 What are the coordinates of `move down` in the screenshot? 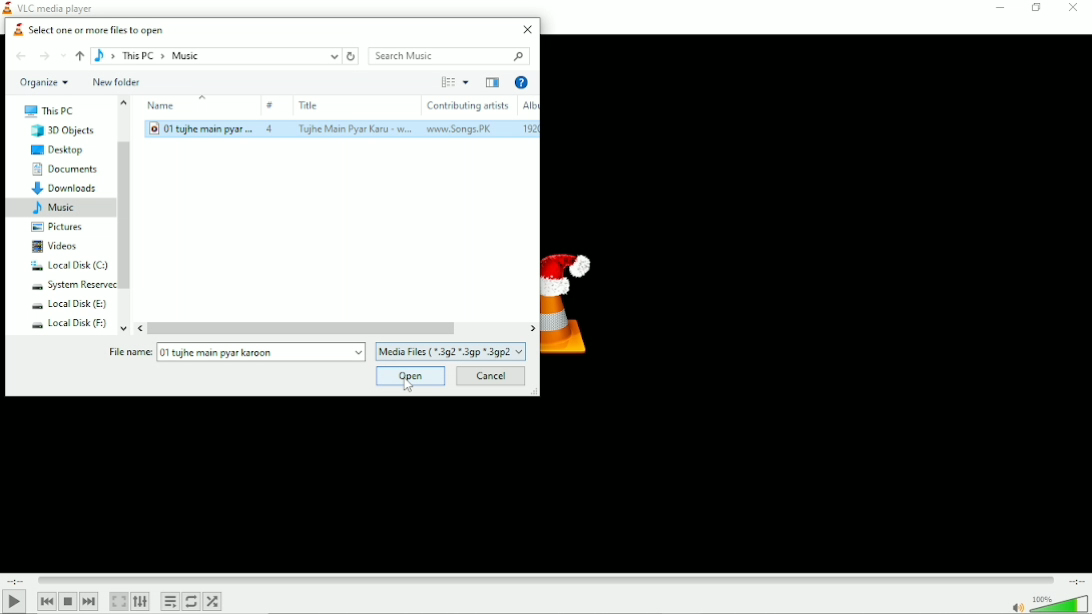 It's located at (123, 327).